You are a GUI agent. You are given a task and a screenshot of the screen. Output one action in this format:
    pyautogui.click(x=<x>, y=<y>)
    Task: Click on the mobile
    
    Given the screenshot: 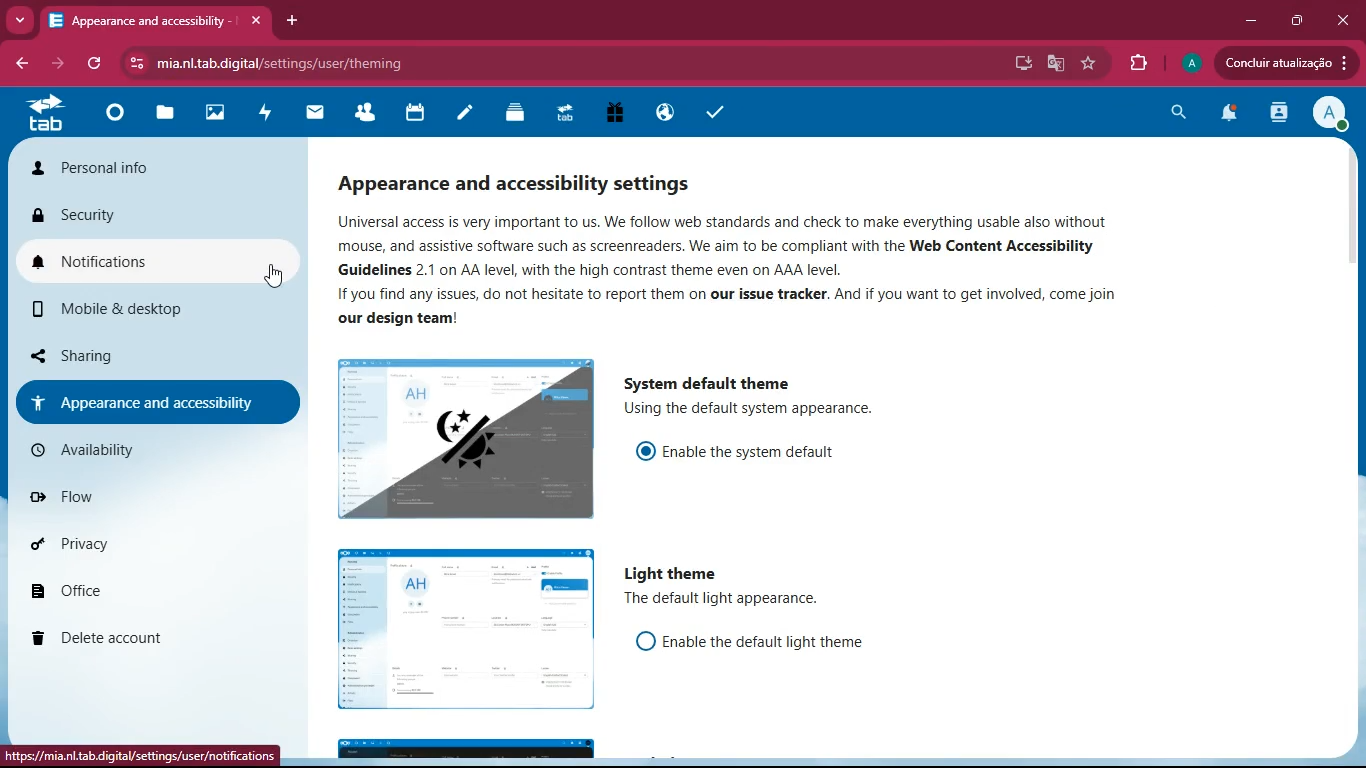 What is the action you would take?
    pyautogui.click(x=142, y=310)
    